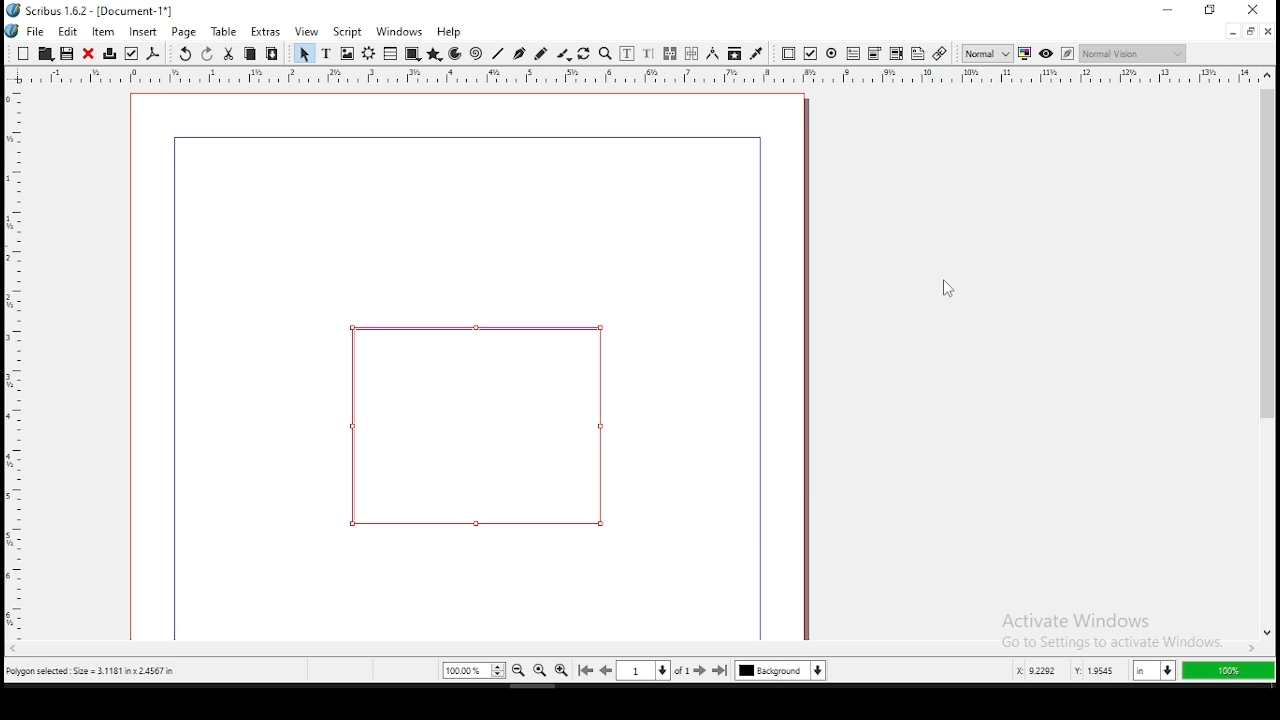 Image resolution: width=1280 pixels, height=720 pixels. I want to click on measurement, so click(713, 54).